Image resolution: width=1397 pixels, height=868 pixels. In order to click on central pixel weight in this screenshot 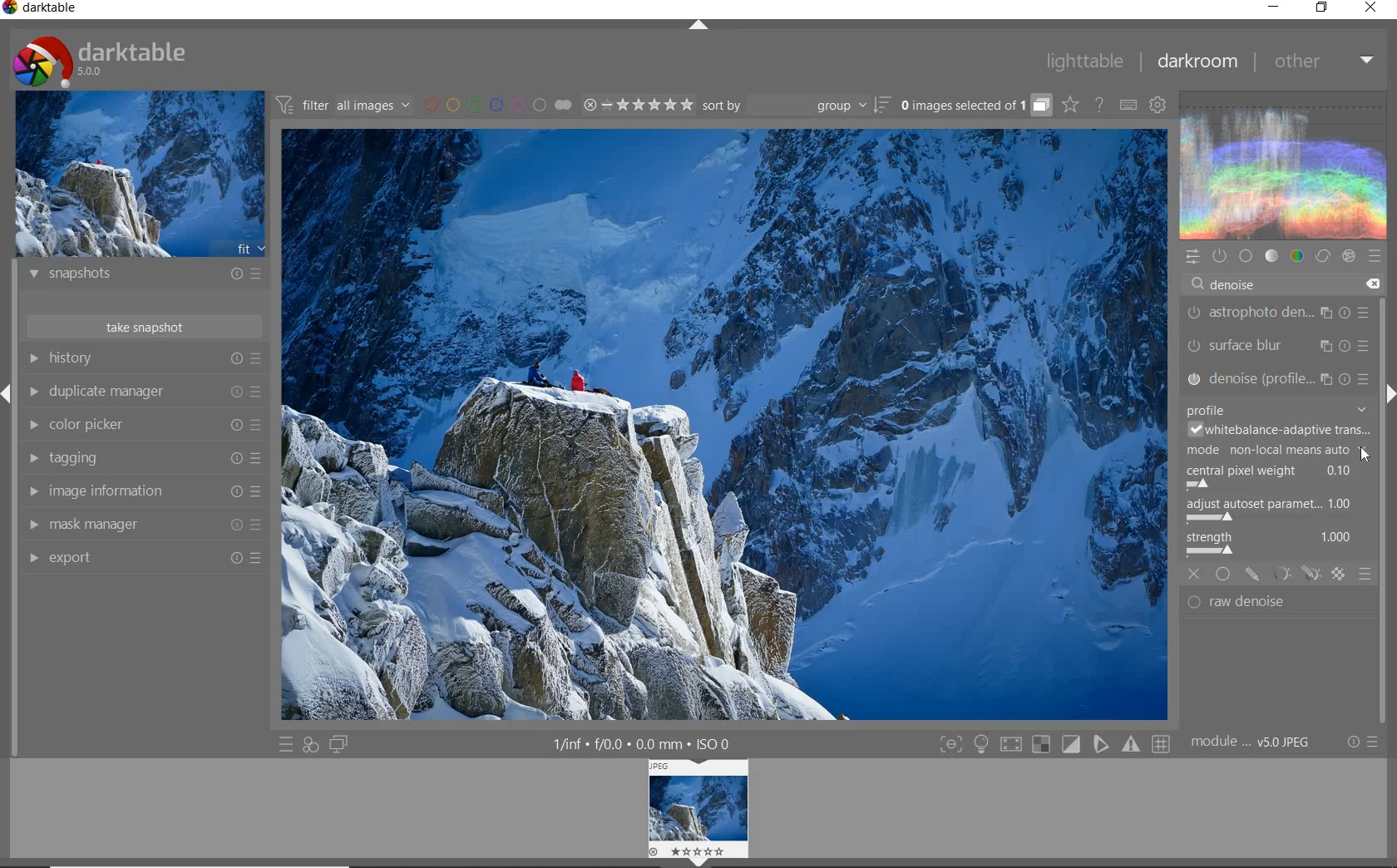, I will do `click(1277, 476)`.